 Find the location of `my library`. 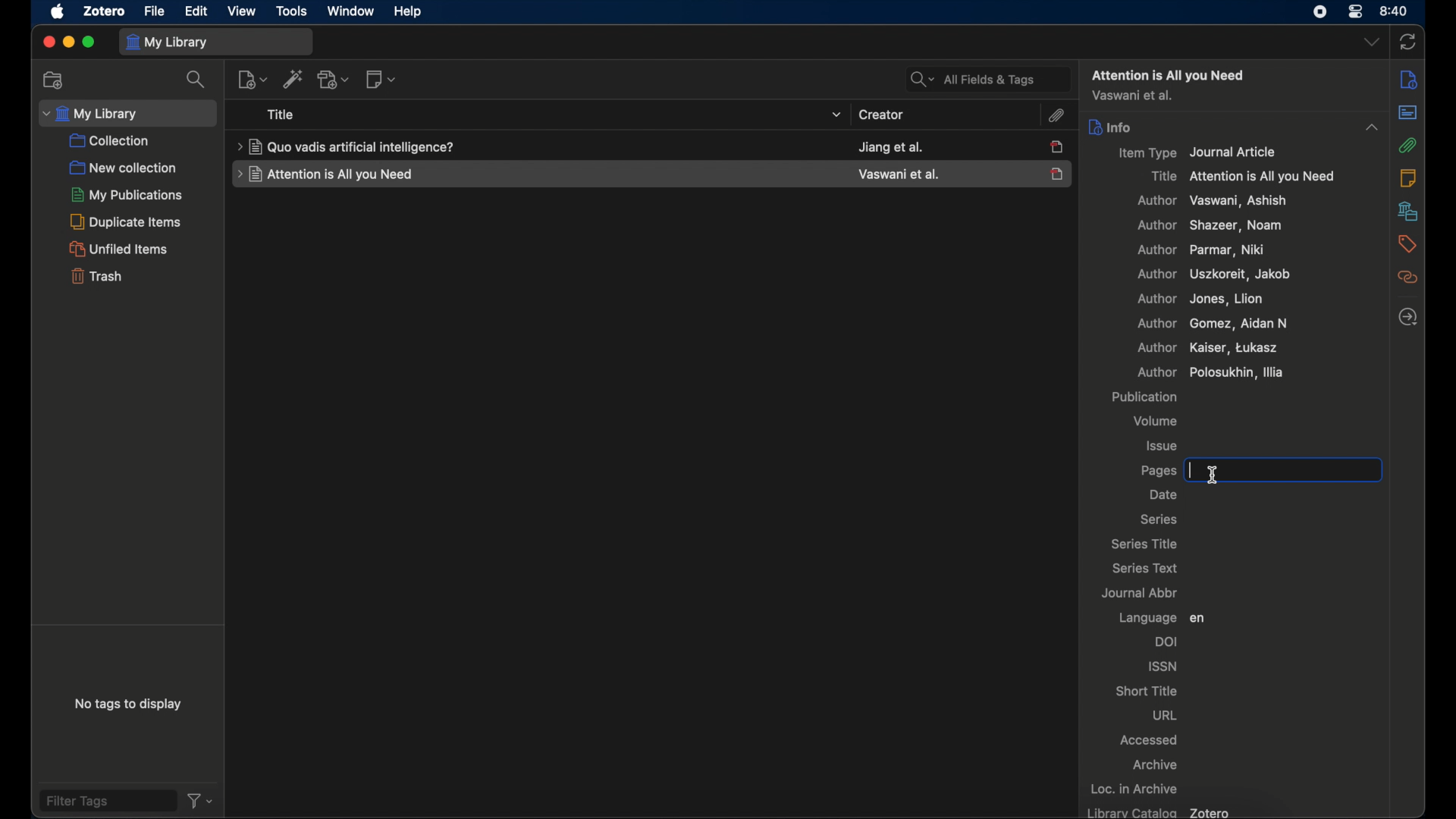

my library is located at coordinates (216, 41).